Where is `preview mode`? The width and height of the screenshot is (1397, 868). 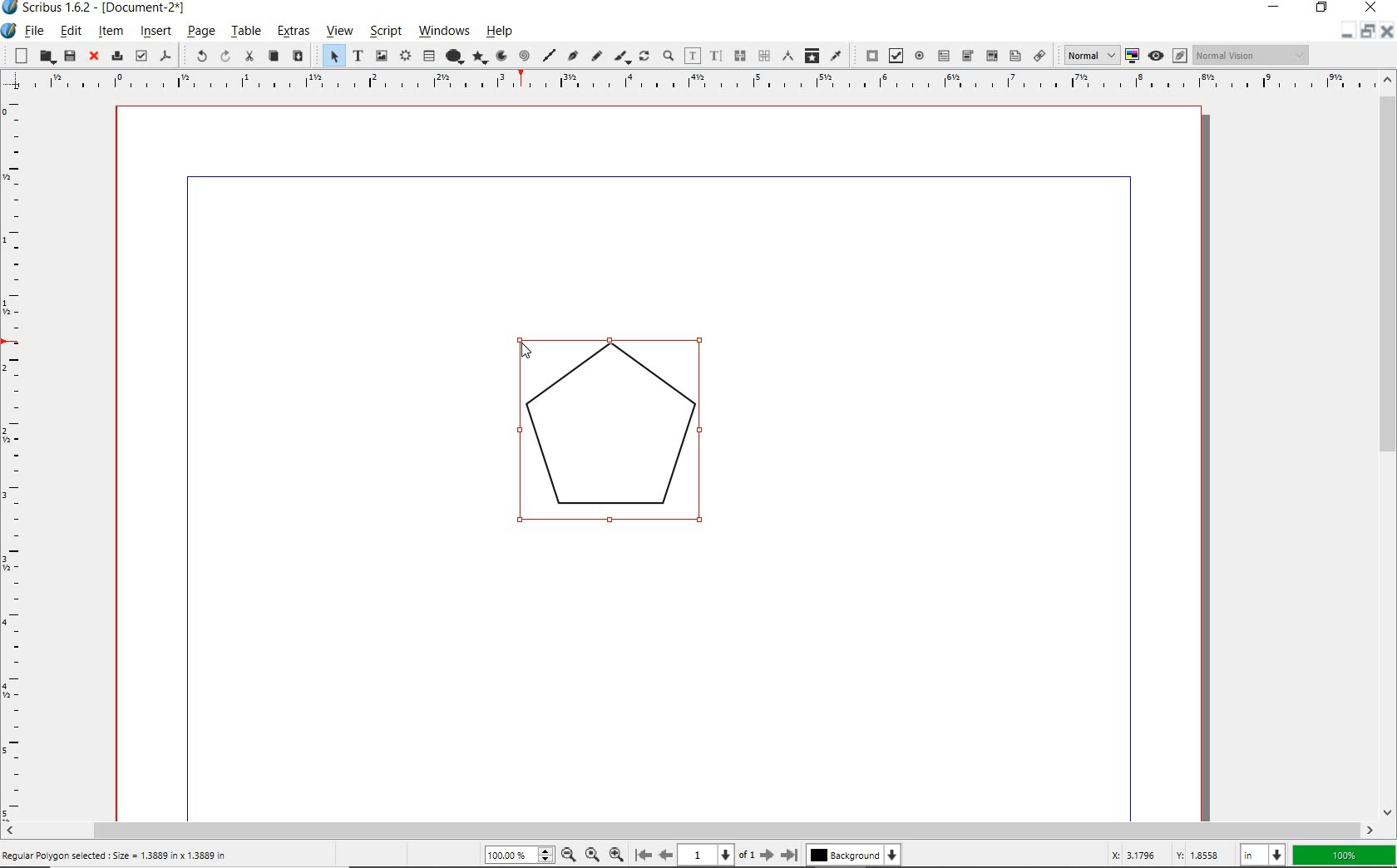
preview mode is located at coordinates (1167, 56).